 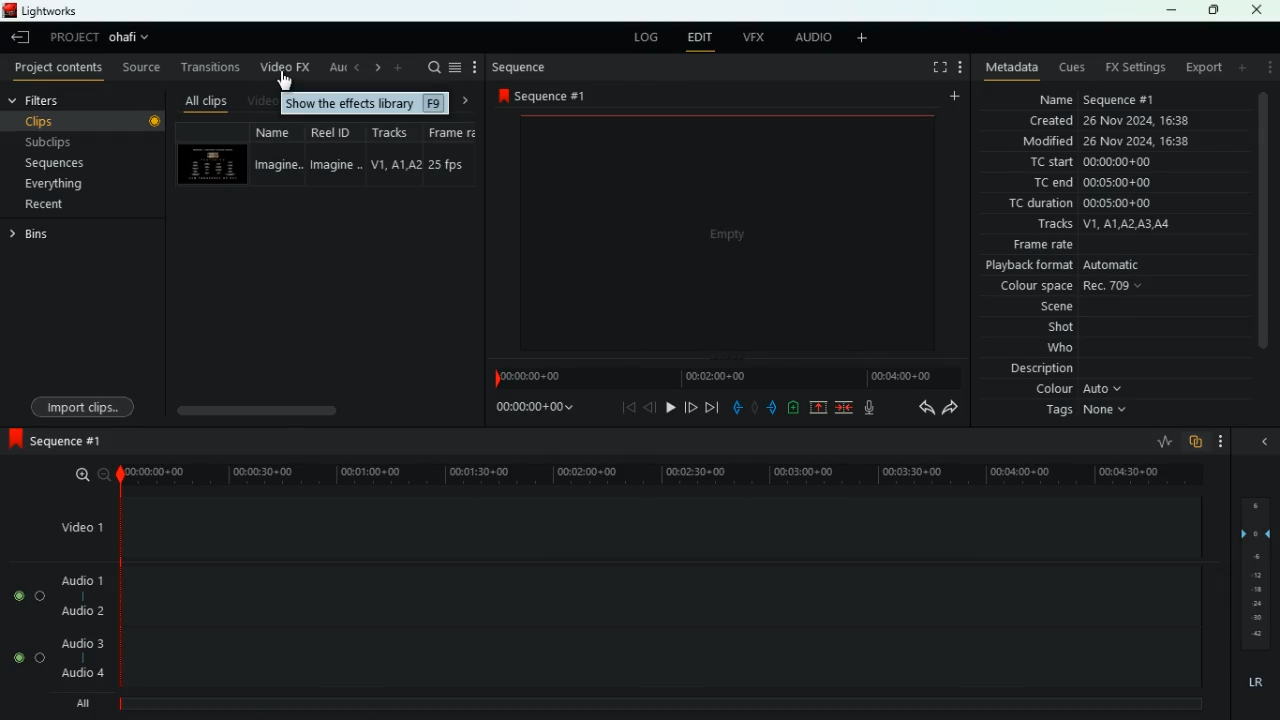 What do you see at coordinates (83, 580) in the screenshot?
I see `audio 1` at bounding box center [83, 580].